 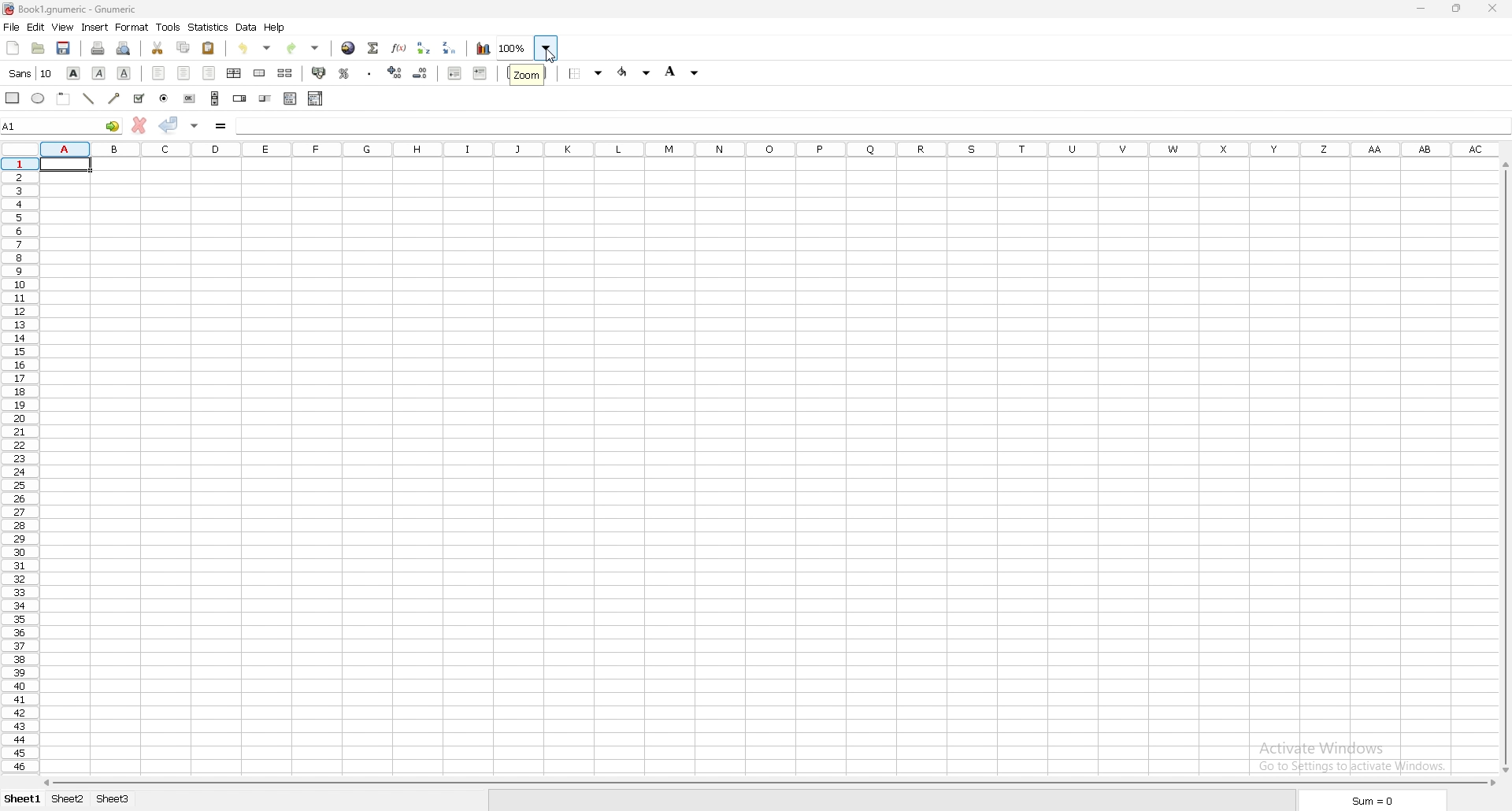 I want to click on increase decimals, so click(x=395, y=72).